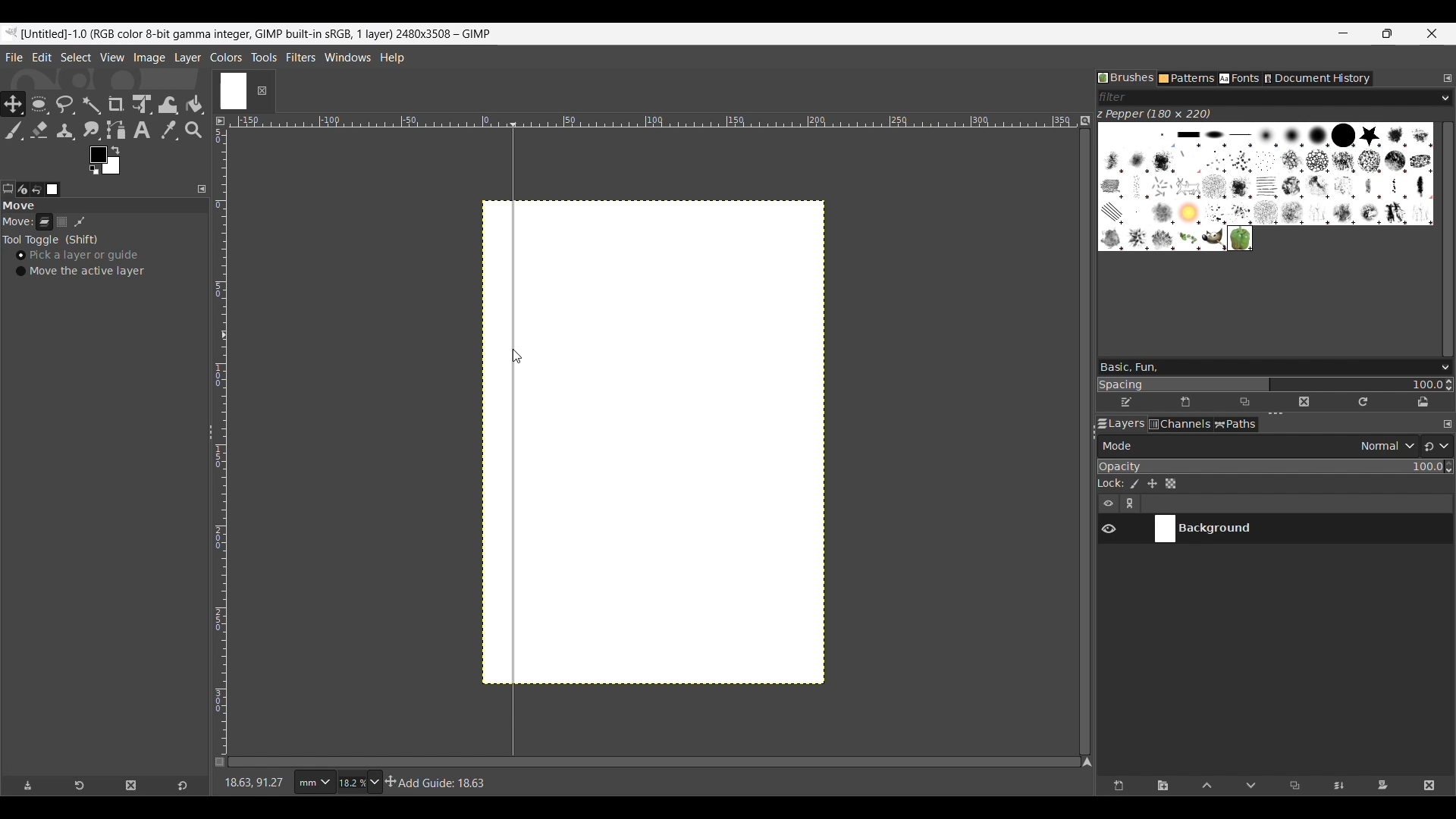 This screenshot has height=819, width=1456. What do you see at coordinates (1304, 403) in the screenshot?
I see `Delete this brush` at bounding box center [1304, 403].